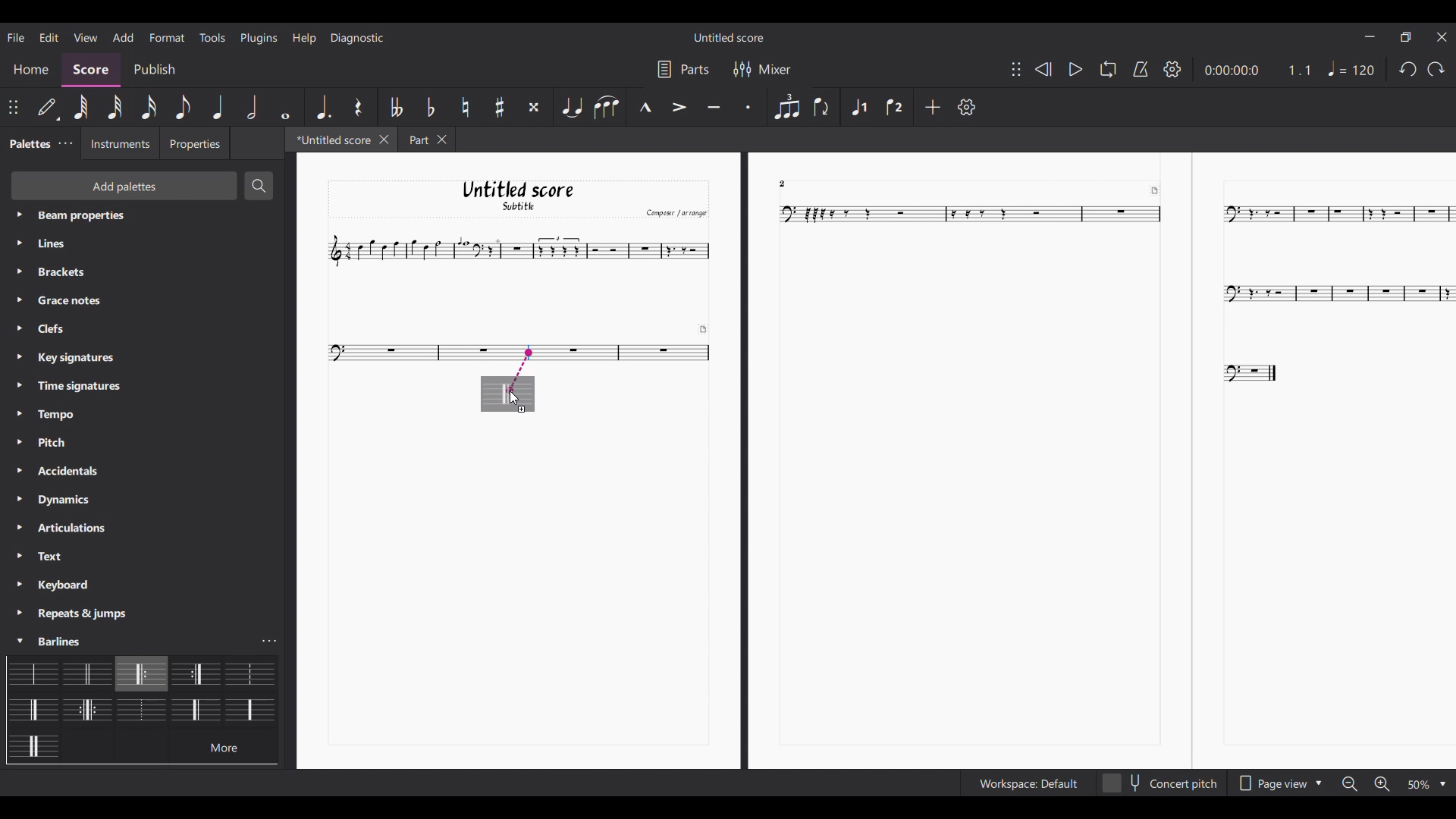  What do you see at coordinates (48, 108) in the screenshot?
I see `Default` at bounding box center [48, 108].